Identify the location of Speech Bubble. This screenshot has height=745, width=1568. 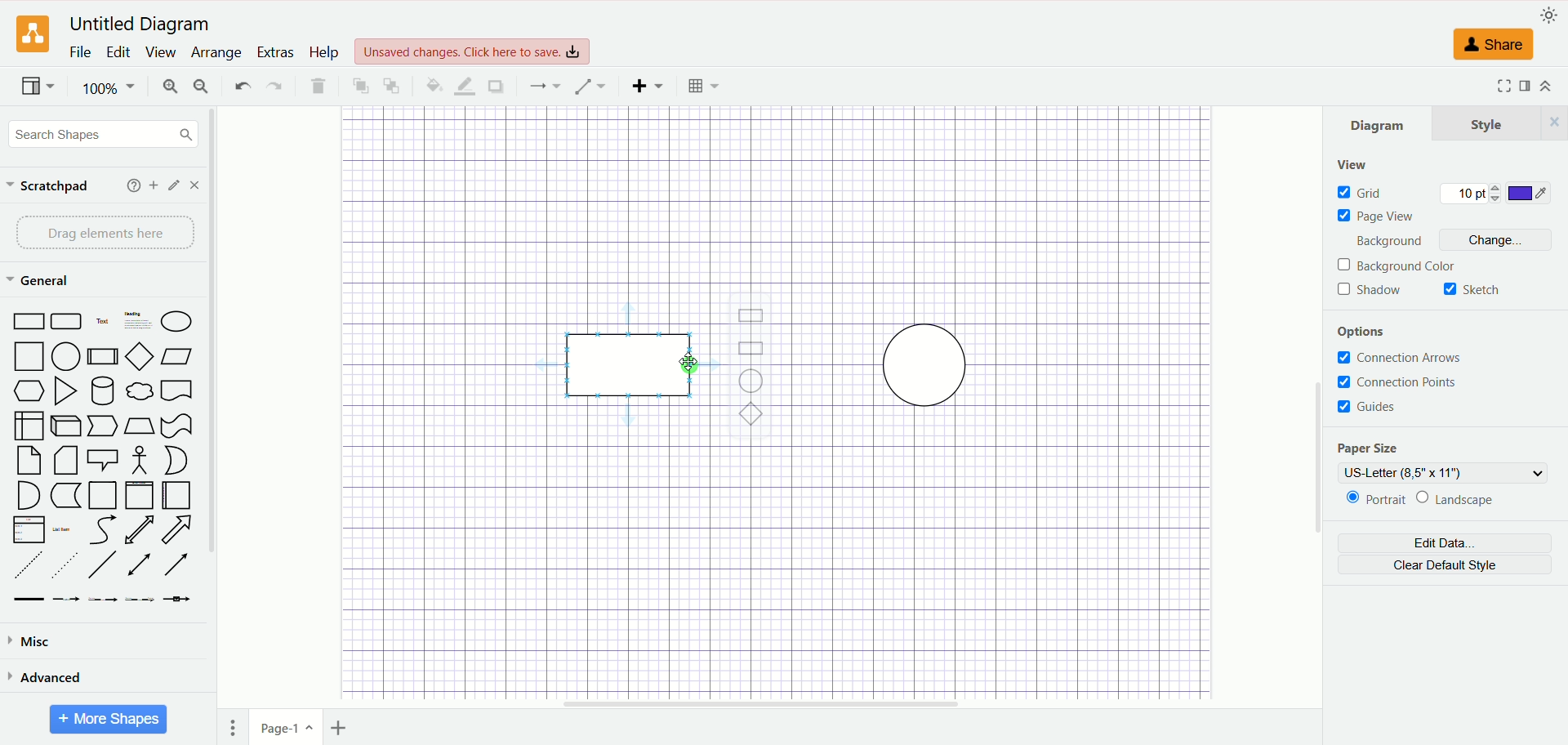
(104, 461).